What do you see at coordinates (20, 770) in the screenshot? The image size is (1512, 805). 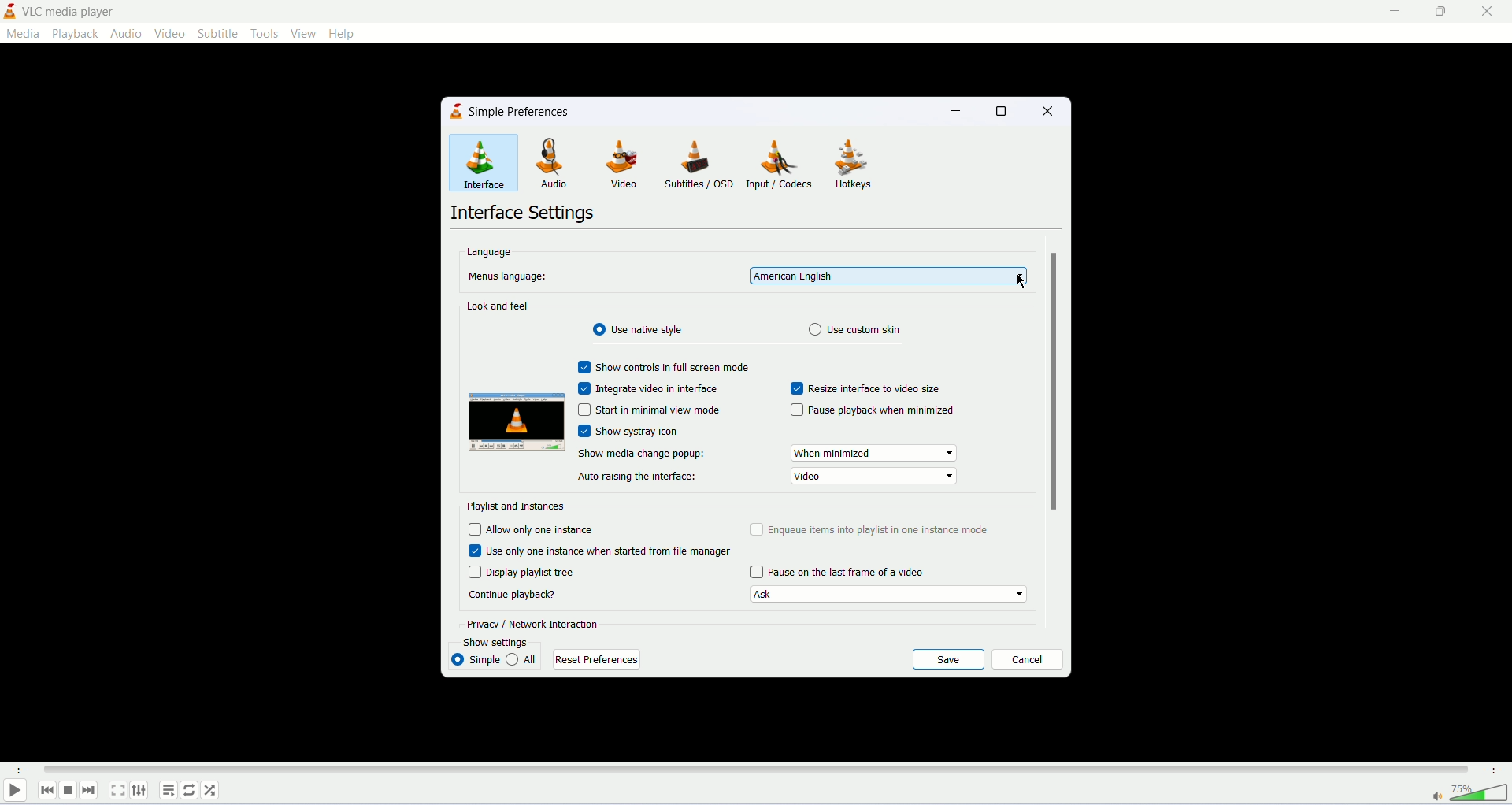 I see `played time` at bounding box center [20, 770].